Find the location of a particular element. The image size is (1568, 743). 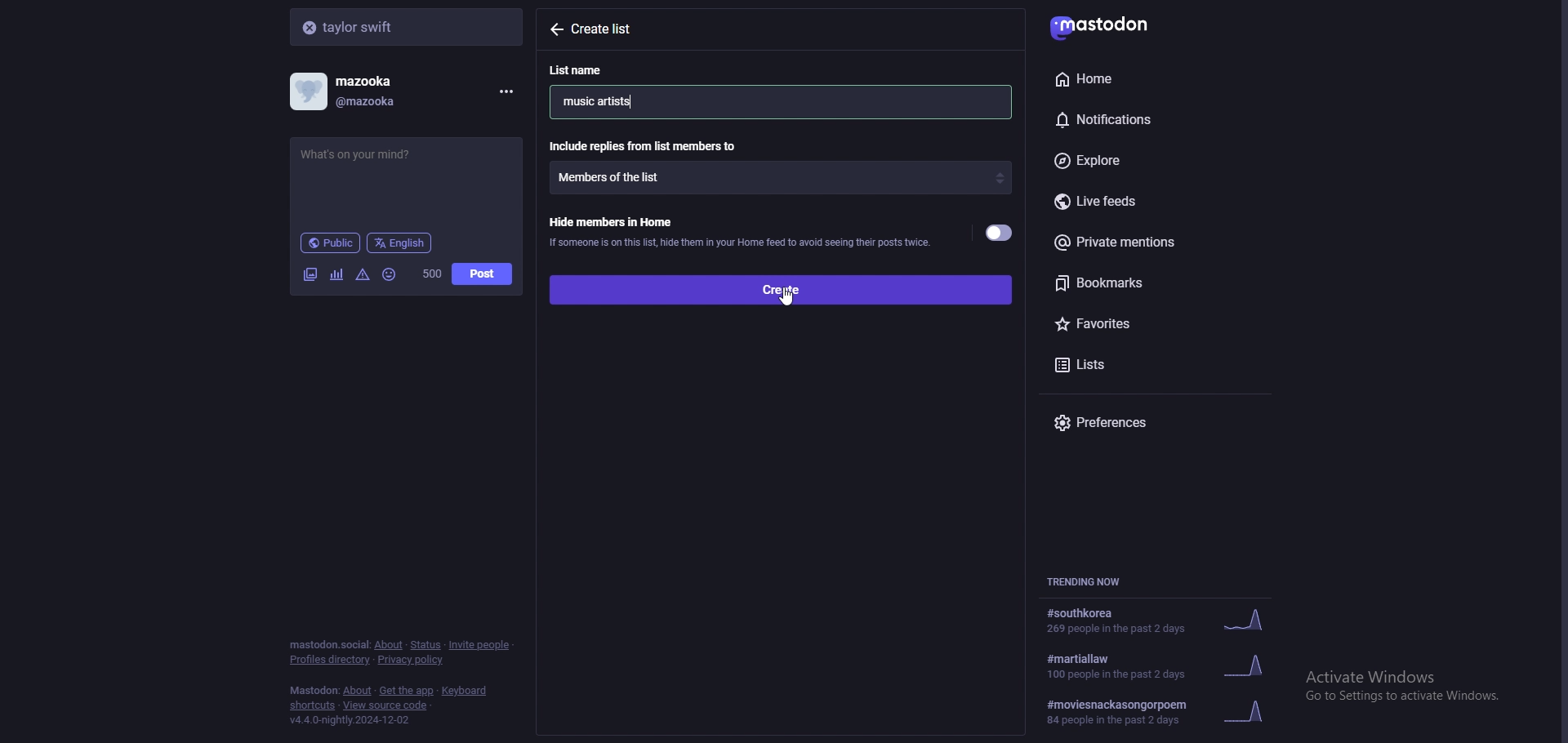

trending is located at coordinates (1164, 712).